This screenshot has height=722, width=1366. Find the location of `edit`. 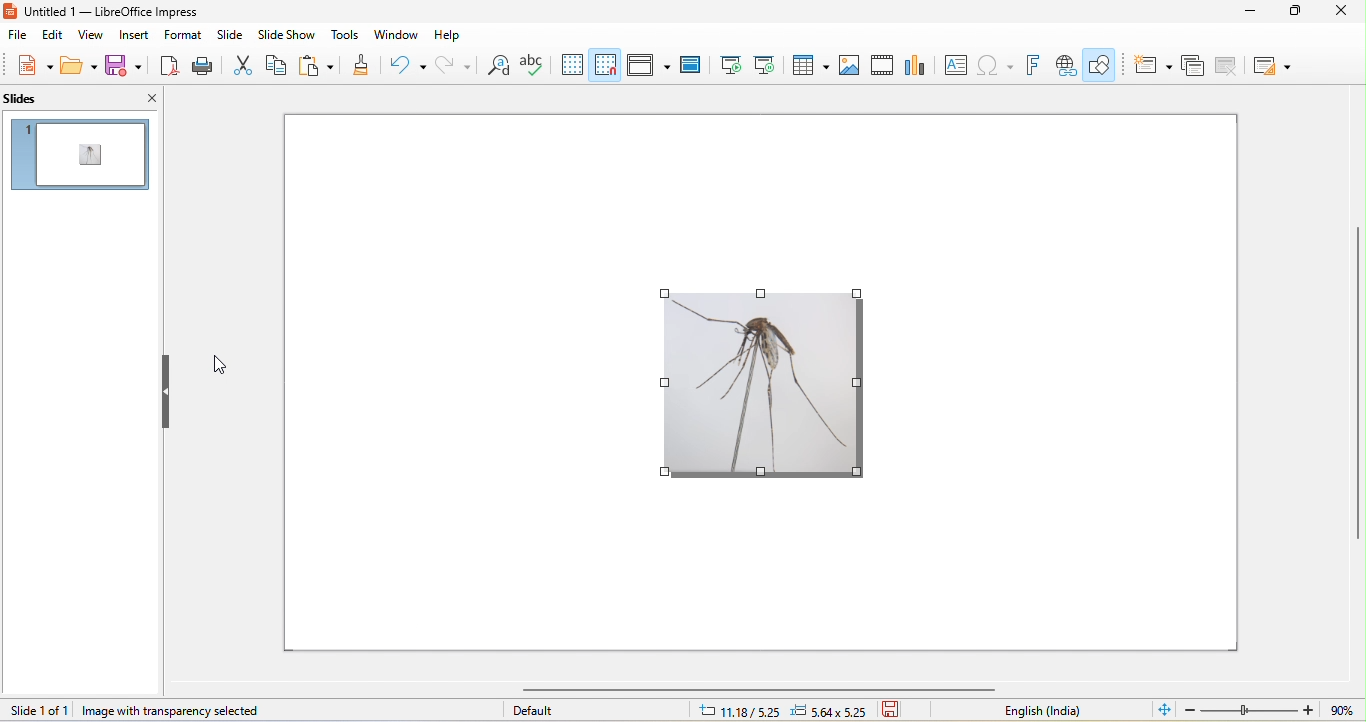

edit is located at coordinates (51, 35).